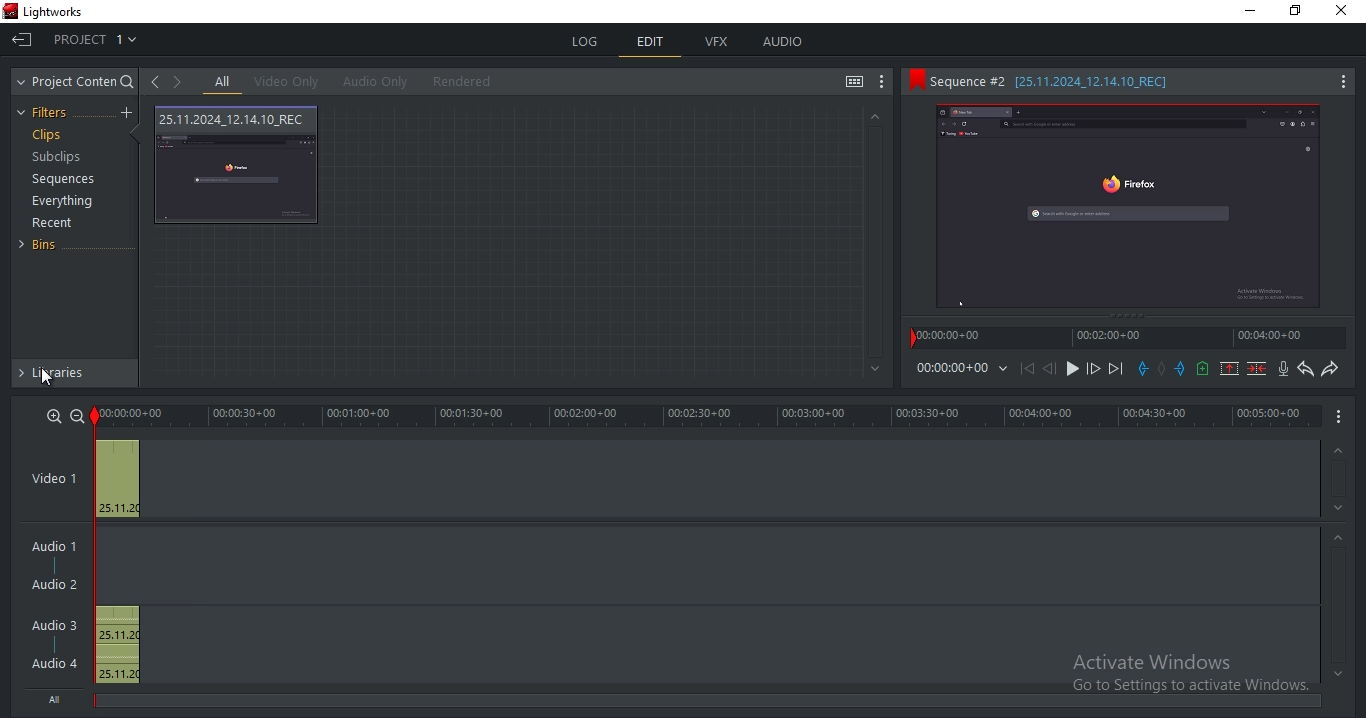 Image resolution: width=1366 pixels, height=718 pixels. Describe the element at coordinates (52, 416) in the screenshot. I see `zoom in` at that location.